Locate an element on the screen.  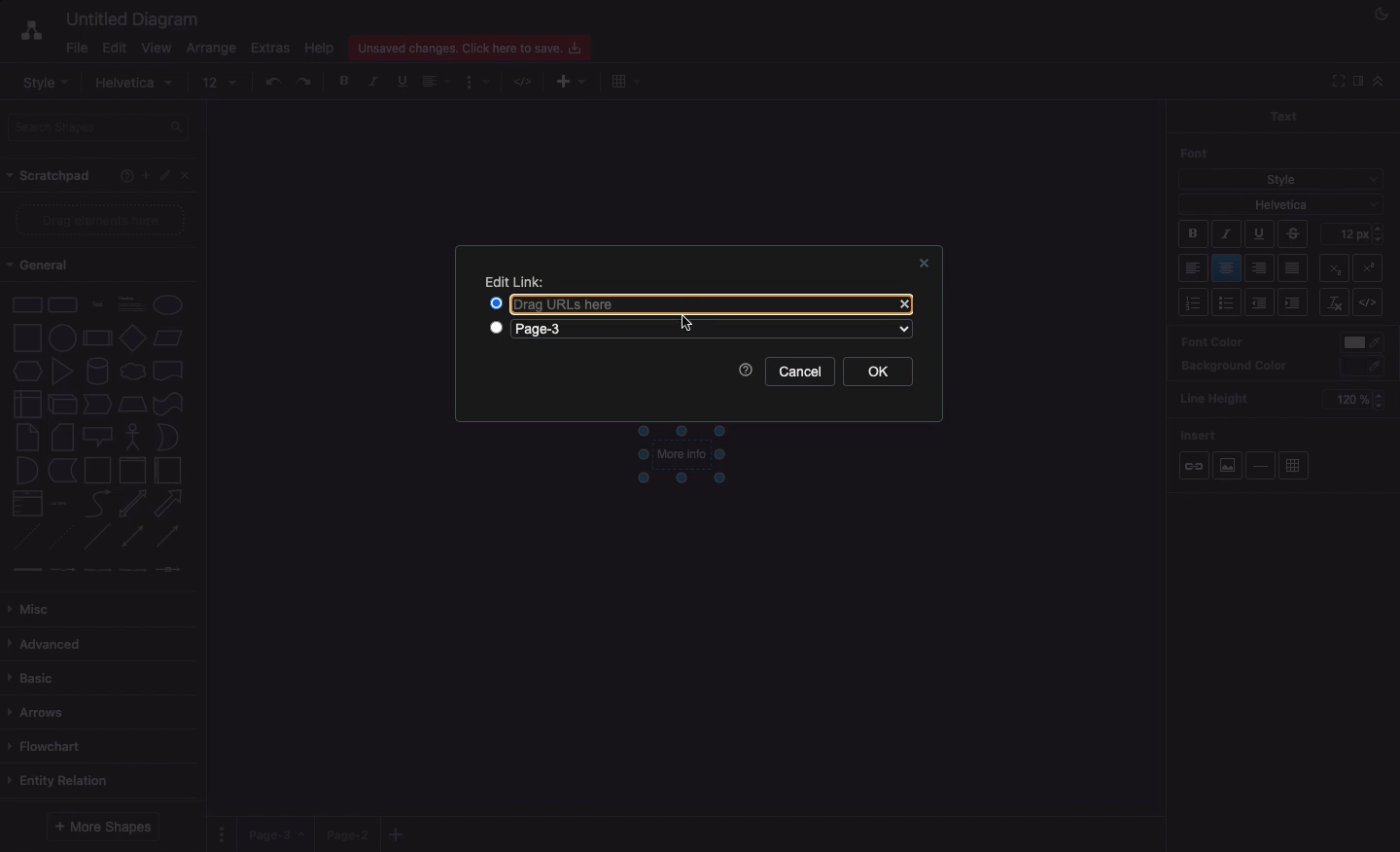
Image is located at coordinates (1226, 465).